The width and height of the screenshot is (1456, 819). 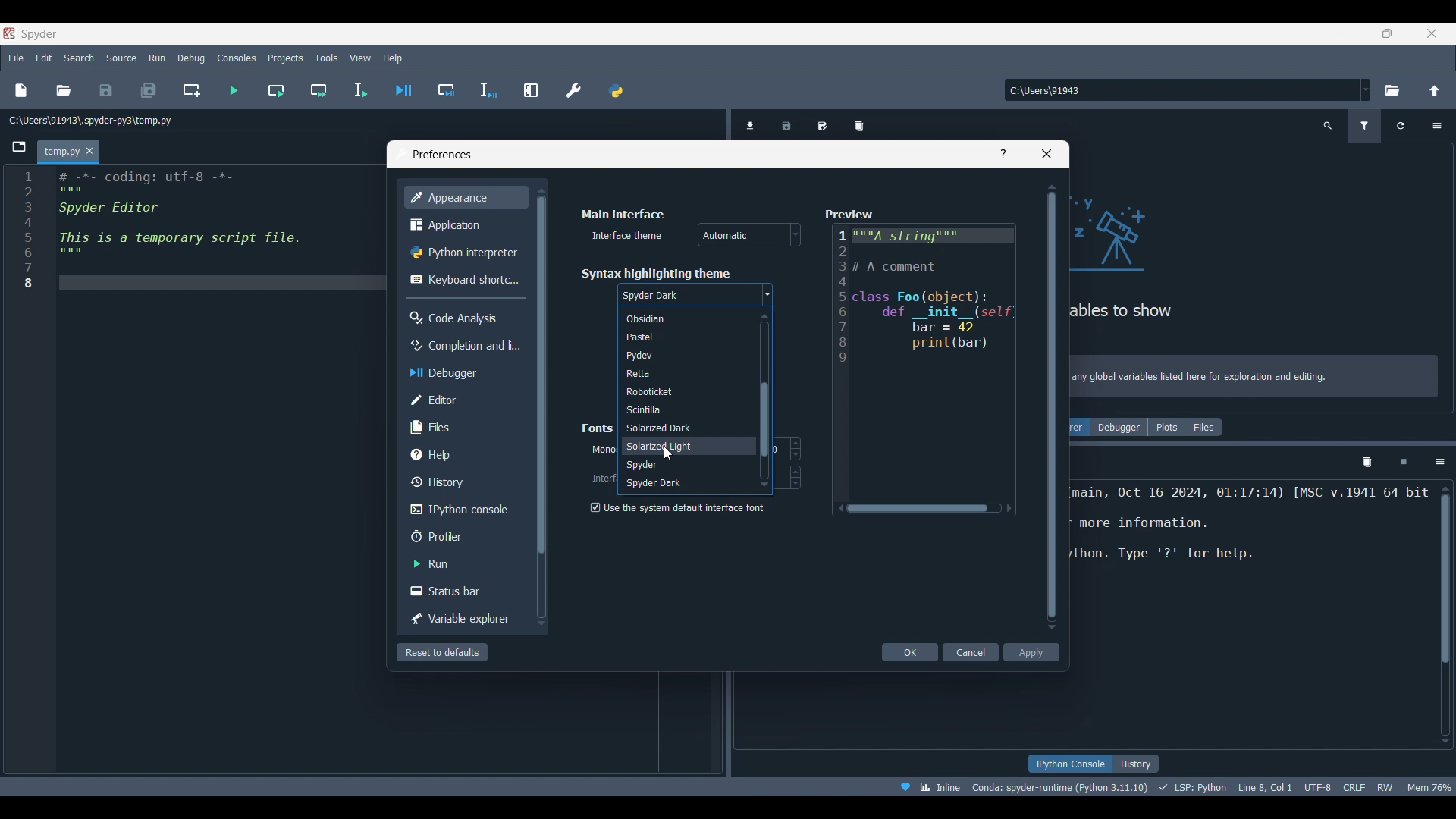 I want to click on pydev, so click(x=676, y=356).